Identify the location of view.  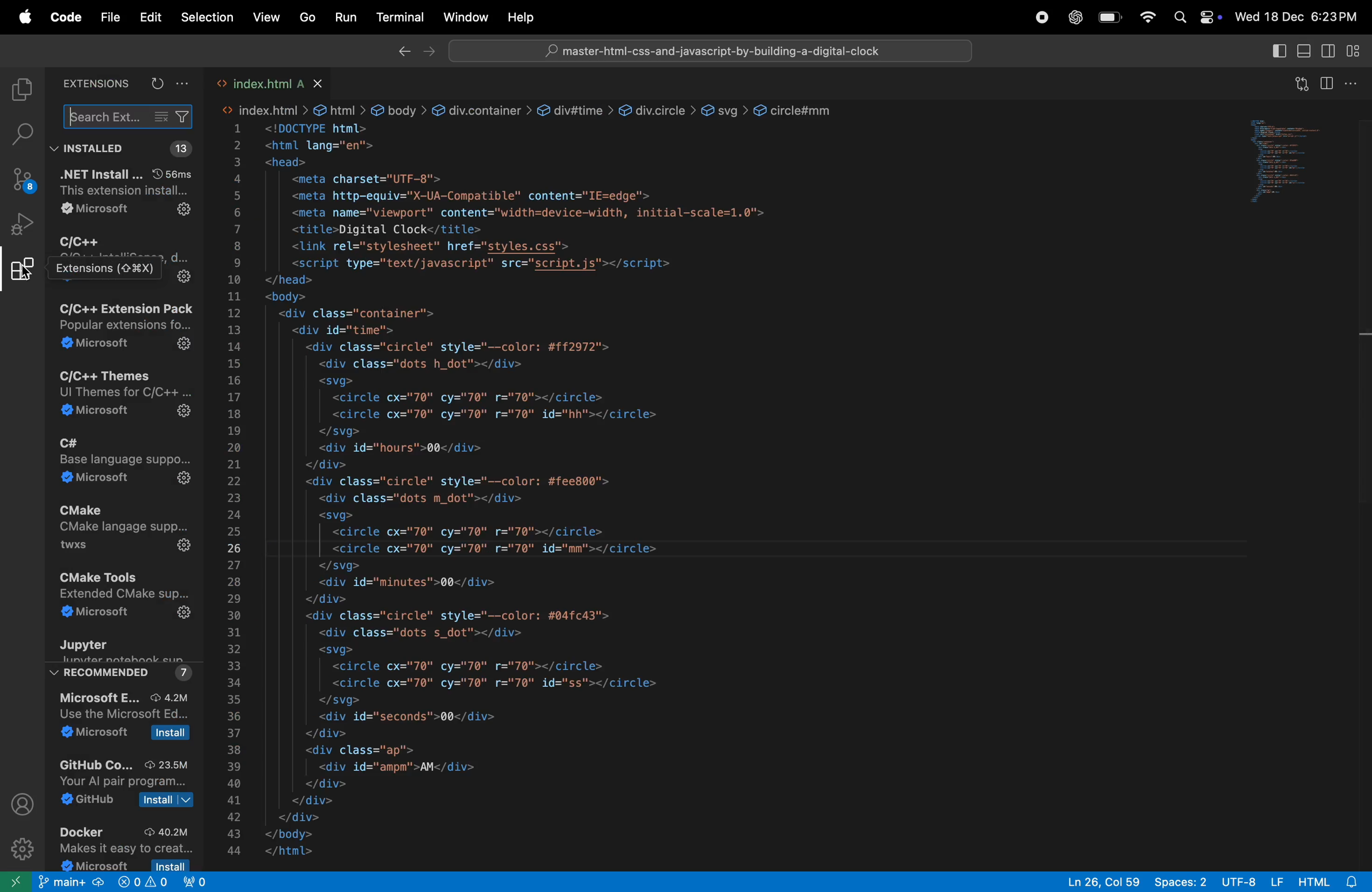
(263, 18).